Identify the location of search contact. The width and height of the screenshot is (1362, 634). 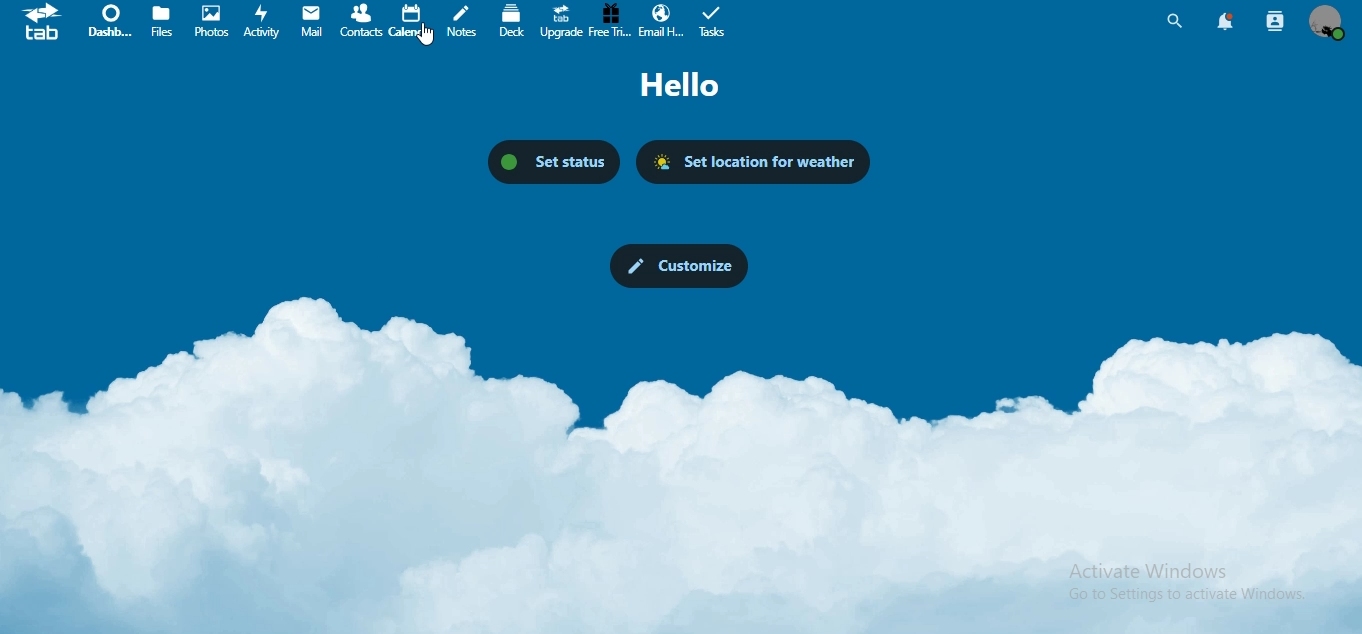
(1274, 19).